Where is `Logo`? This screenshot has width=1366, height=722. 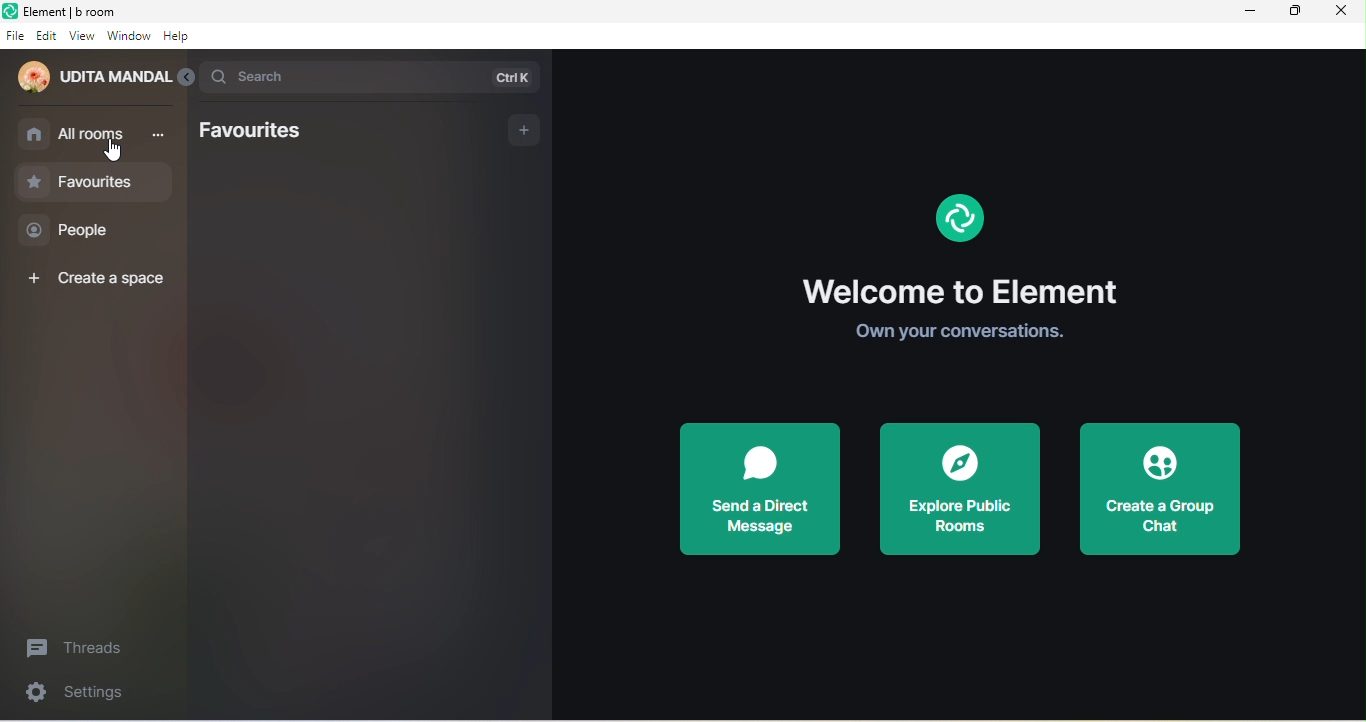 Logo is located at coordinates (966, 217).